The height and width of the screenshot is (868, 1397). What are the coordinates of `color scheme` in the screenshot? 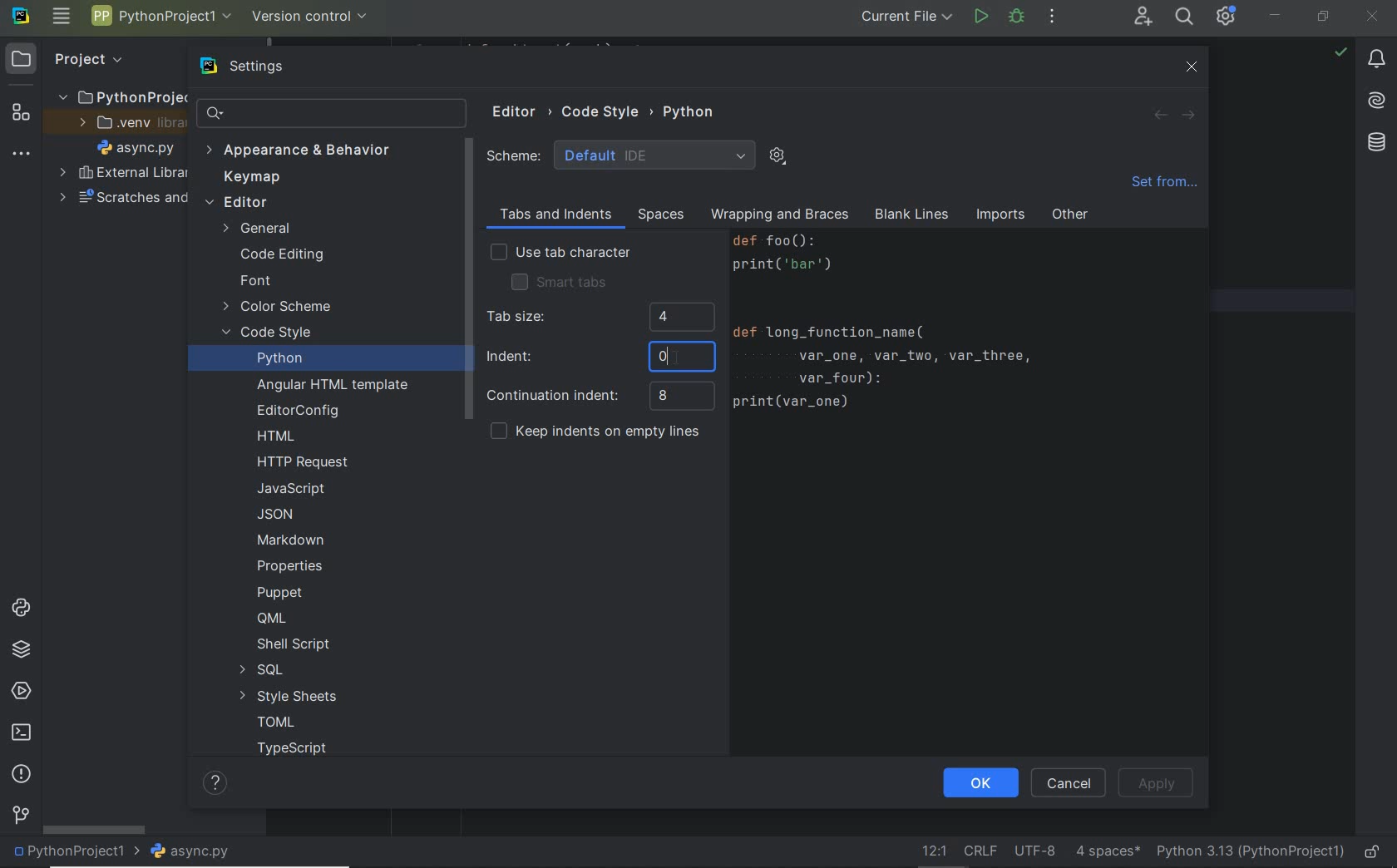 It's located at (278, 308).